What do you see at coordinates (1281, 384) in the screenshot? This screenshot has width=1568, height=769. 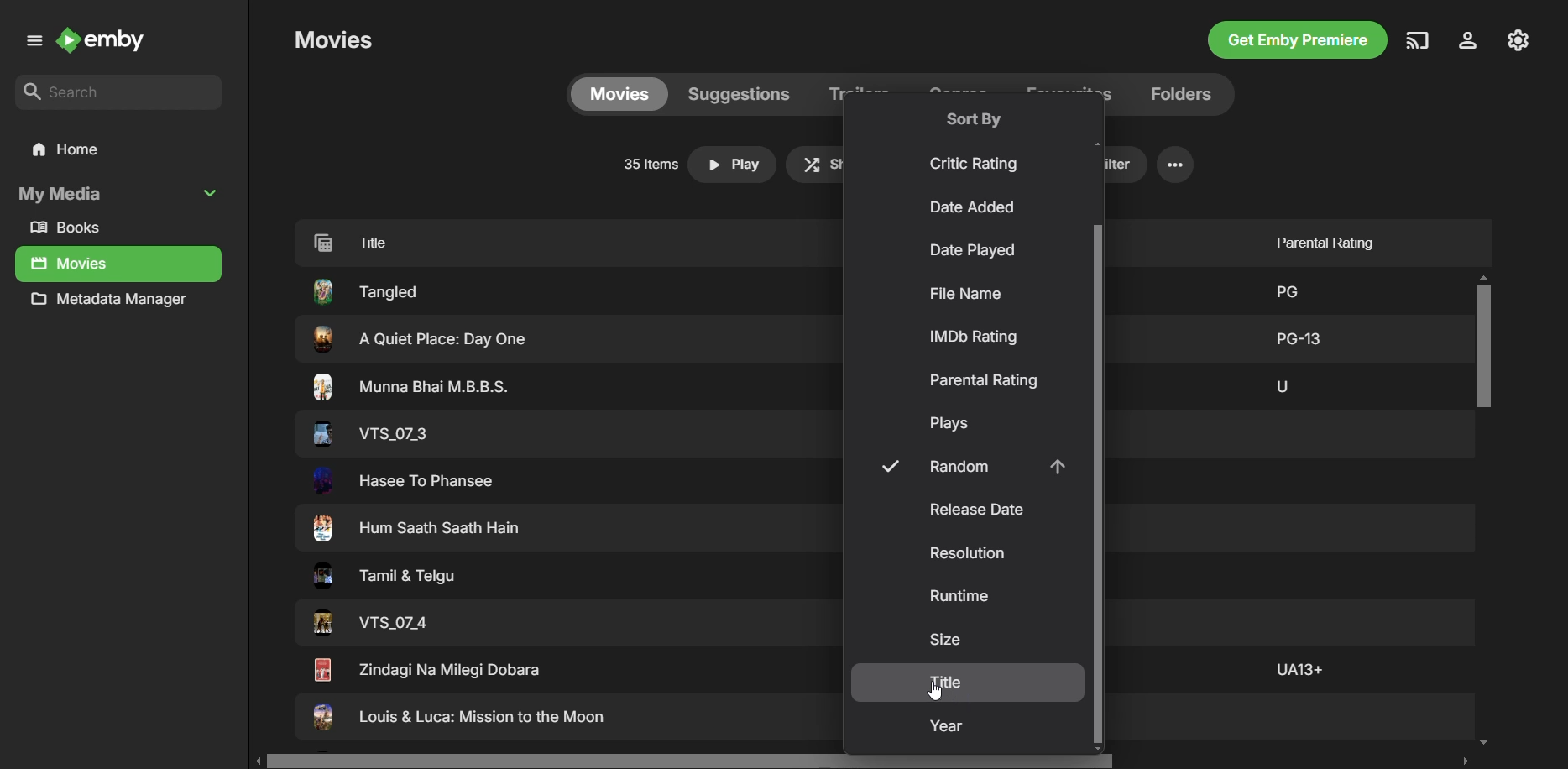 I see `` at bounding box center [1281, 384].